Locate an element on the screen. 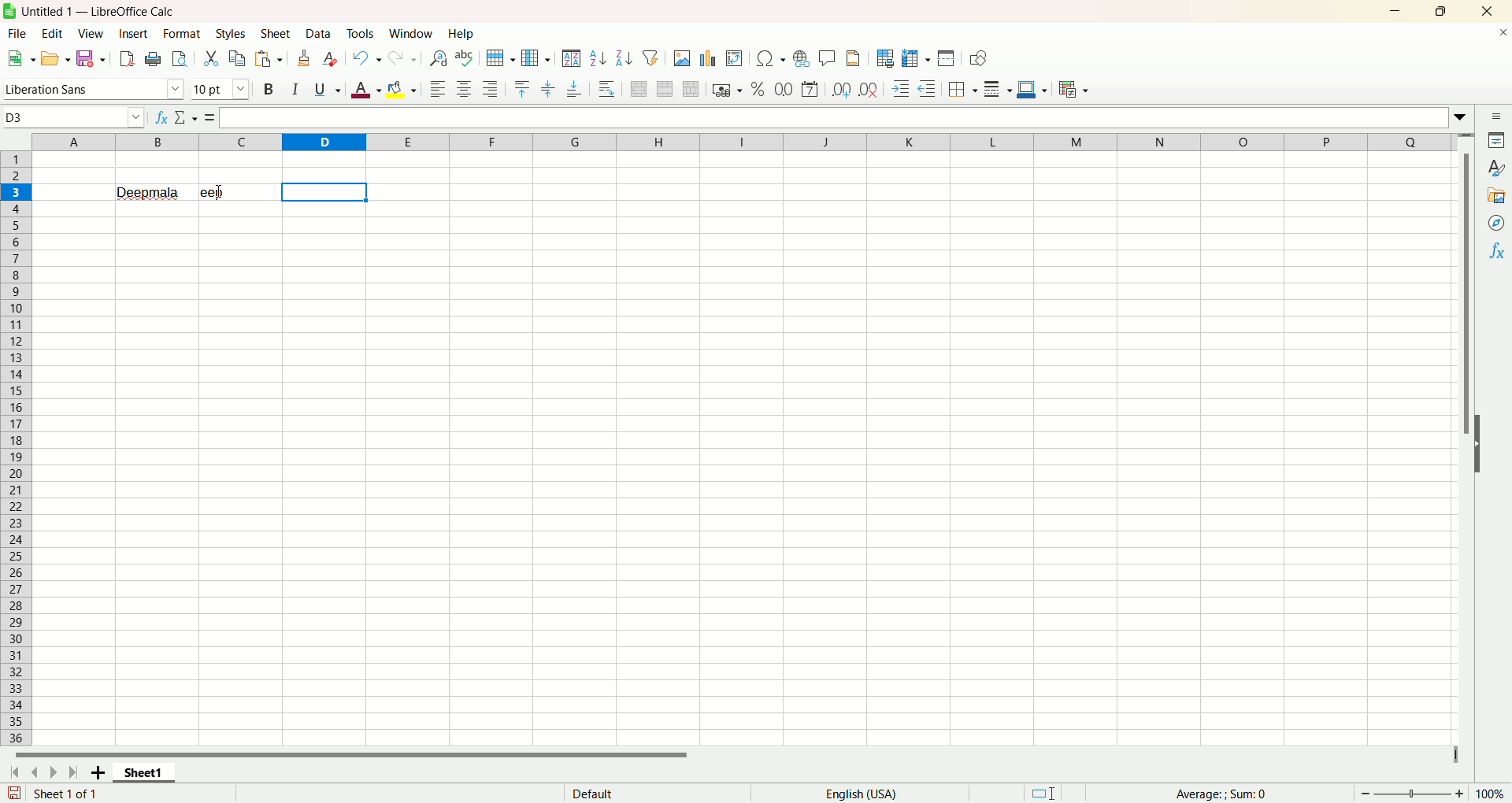 Image resolution: width=1512 pixels, height=803 pixels. goto next sheet is located at coordinates (51, 773).